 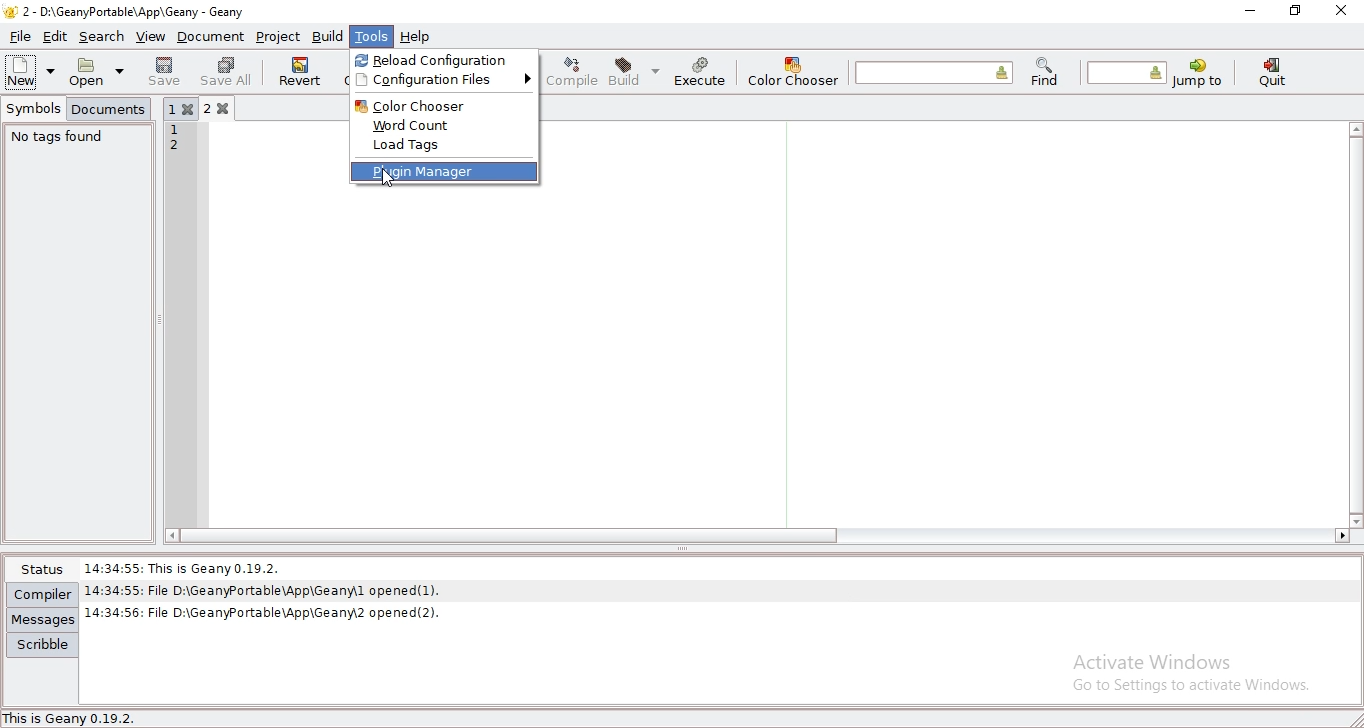 What do you see at coordinates (21, 34) in the screenshot?
I see `file` at bounding box center [21, 34].